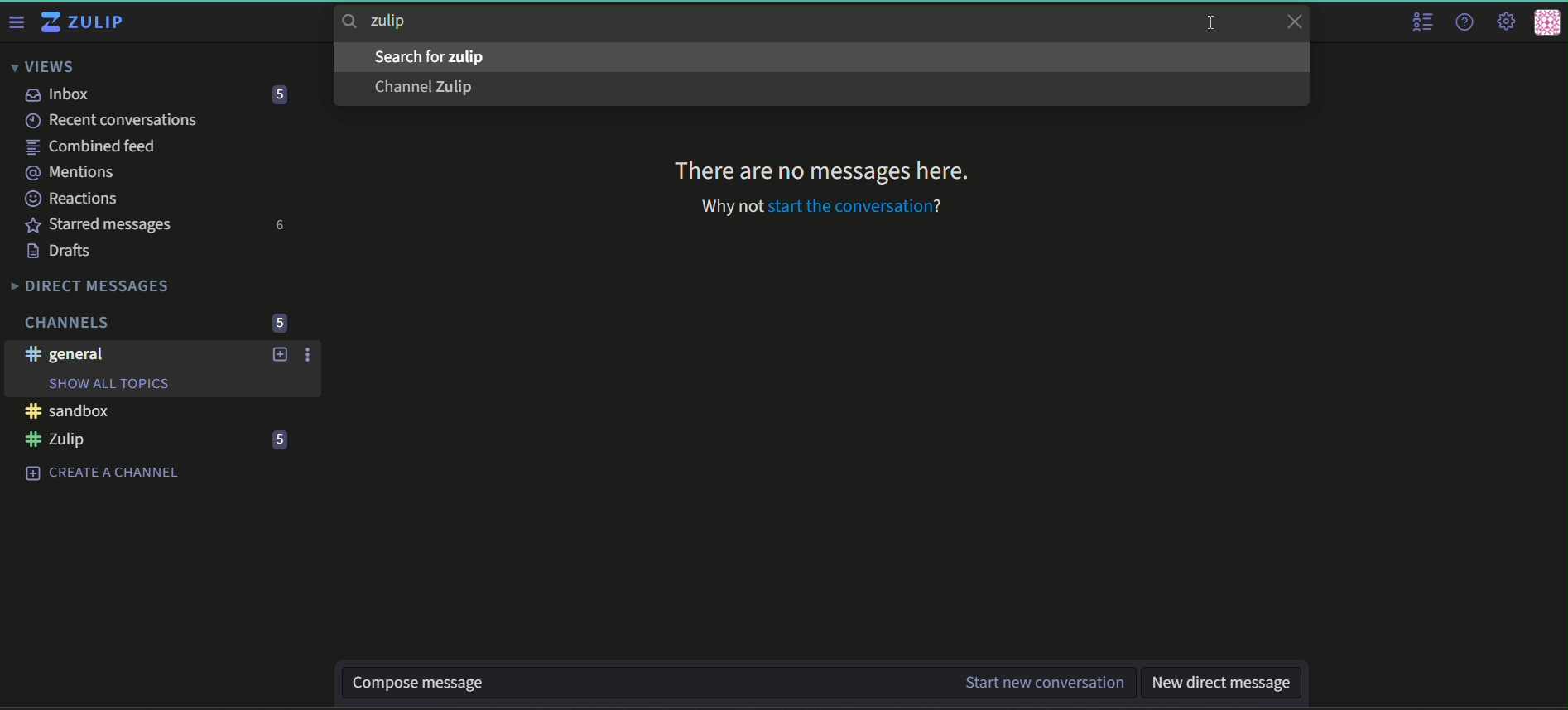 The image size is (1568, 710). What do you see at coordinates (1548, 21) in the screenshot?
I see `personal menu` at bounding box center [1548, 21].